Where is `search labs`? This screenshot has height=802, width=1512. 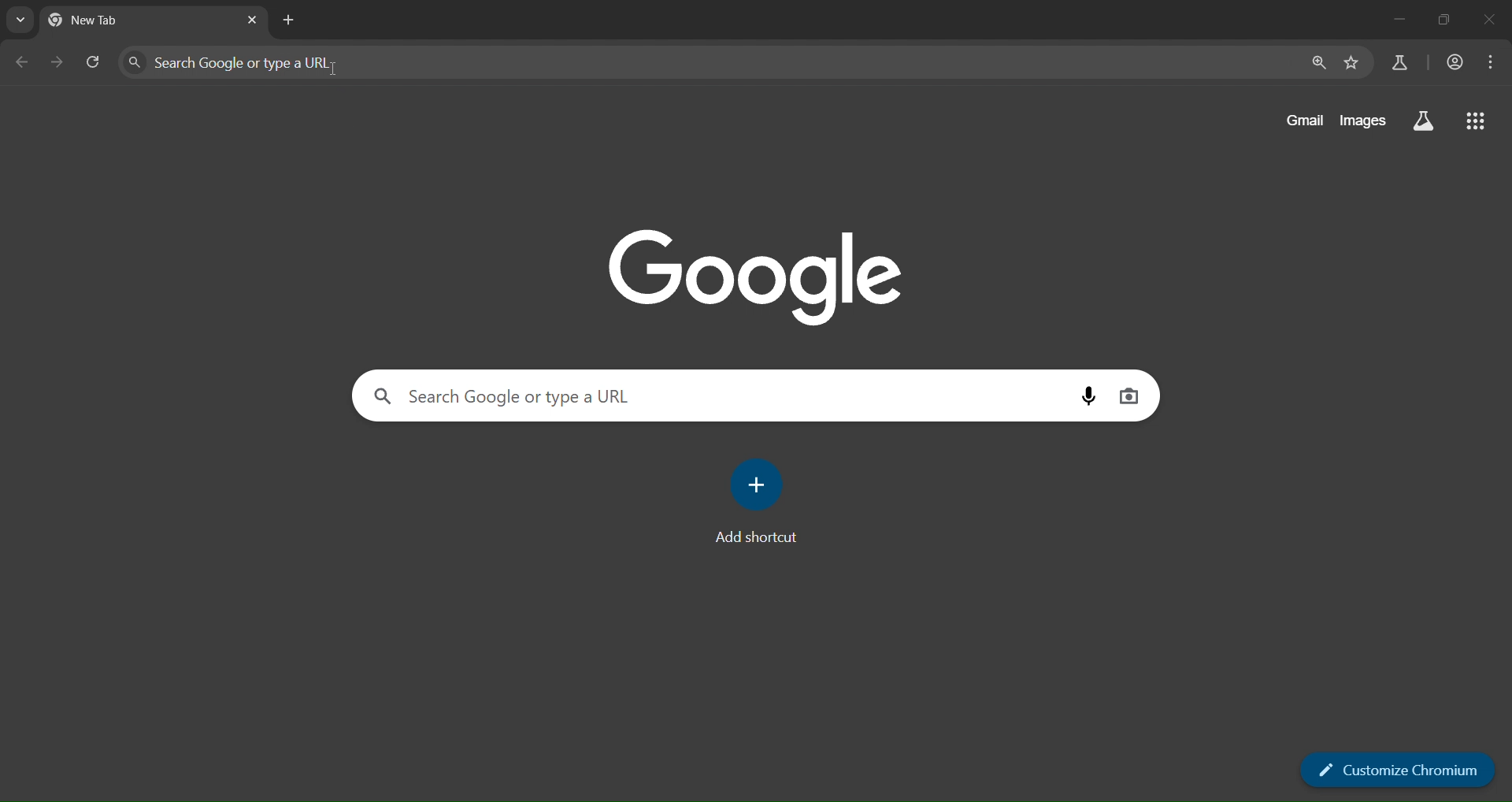 search labs is located at coordinates (1402, 62).